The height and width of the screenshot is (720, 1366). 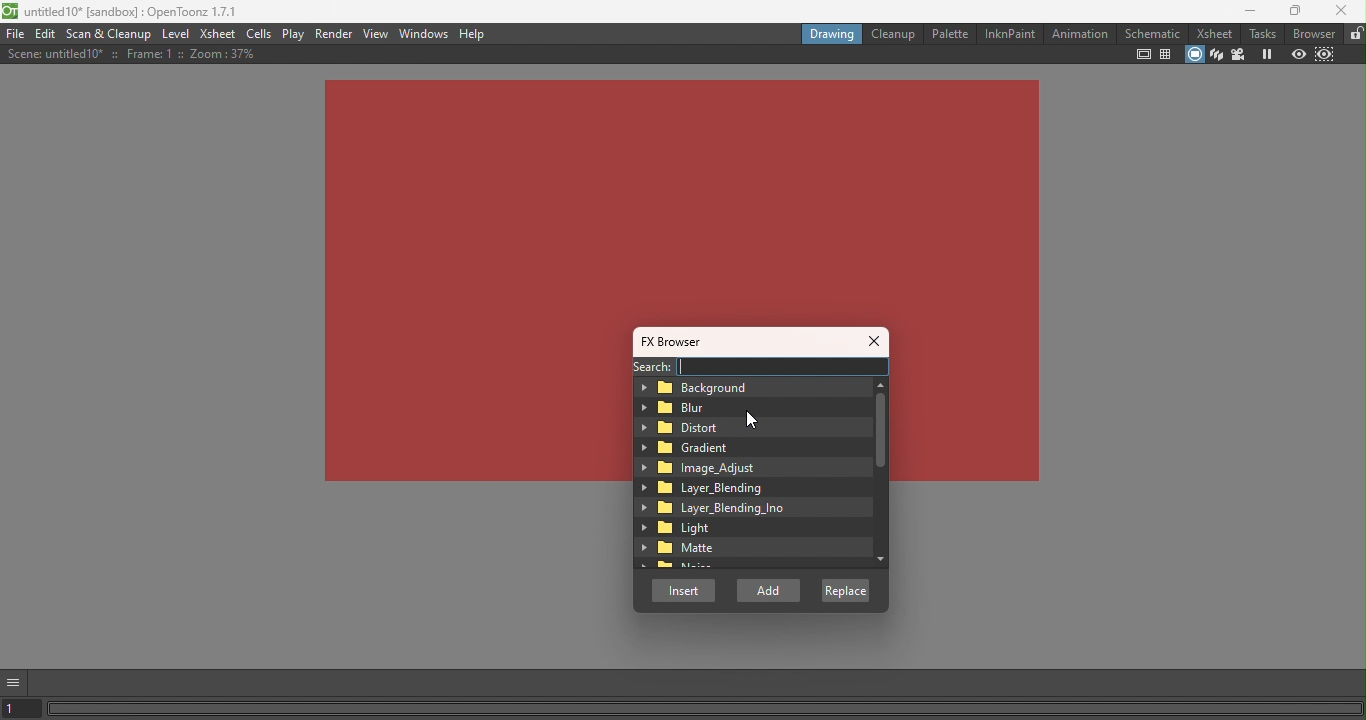 I want to click on Horizontal scroll bar, so click(x=706, y=708).